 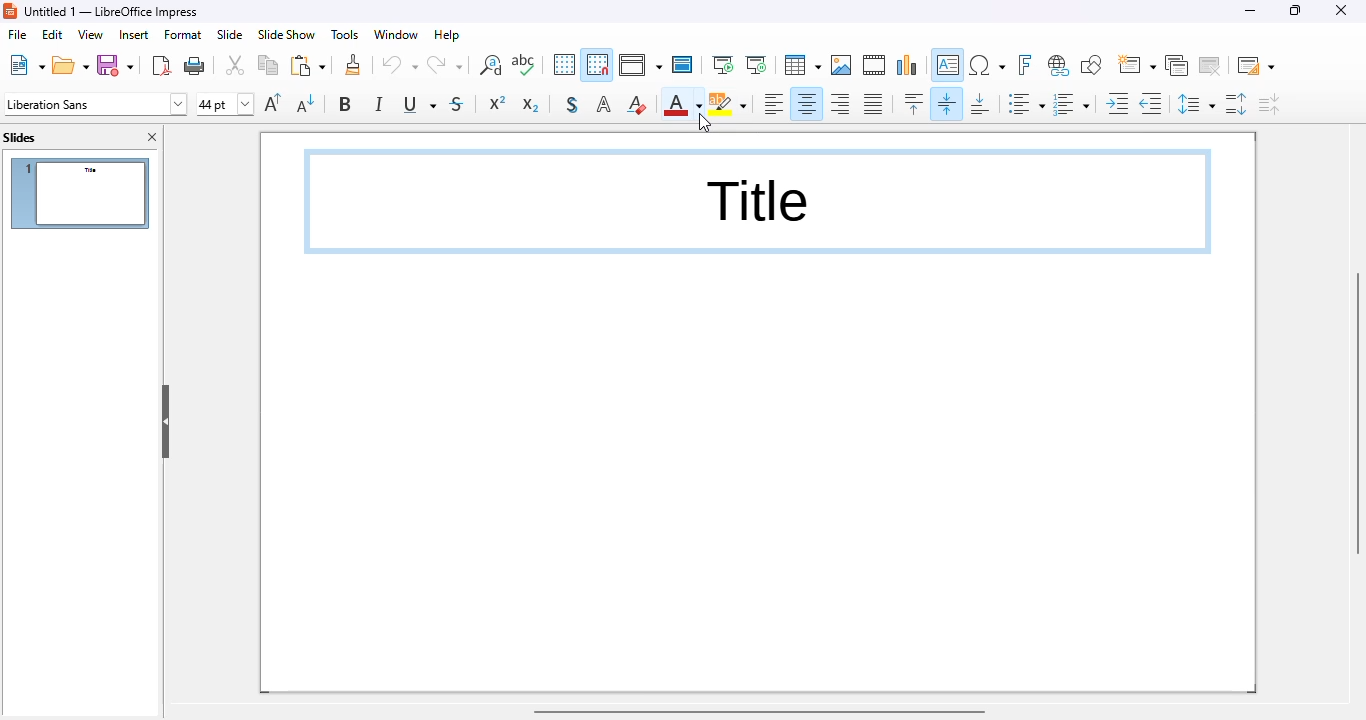 What do you see at coordinates (11, 11) in the screenshot?
I see `logo` at bounding box center [11, 11].